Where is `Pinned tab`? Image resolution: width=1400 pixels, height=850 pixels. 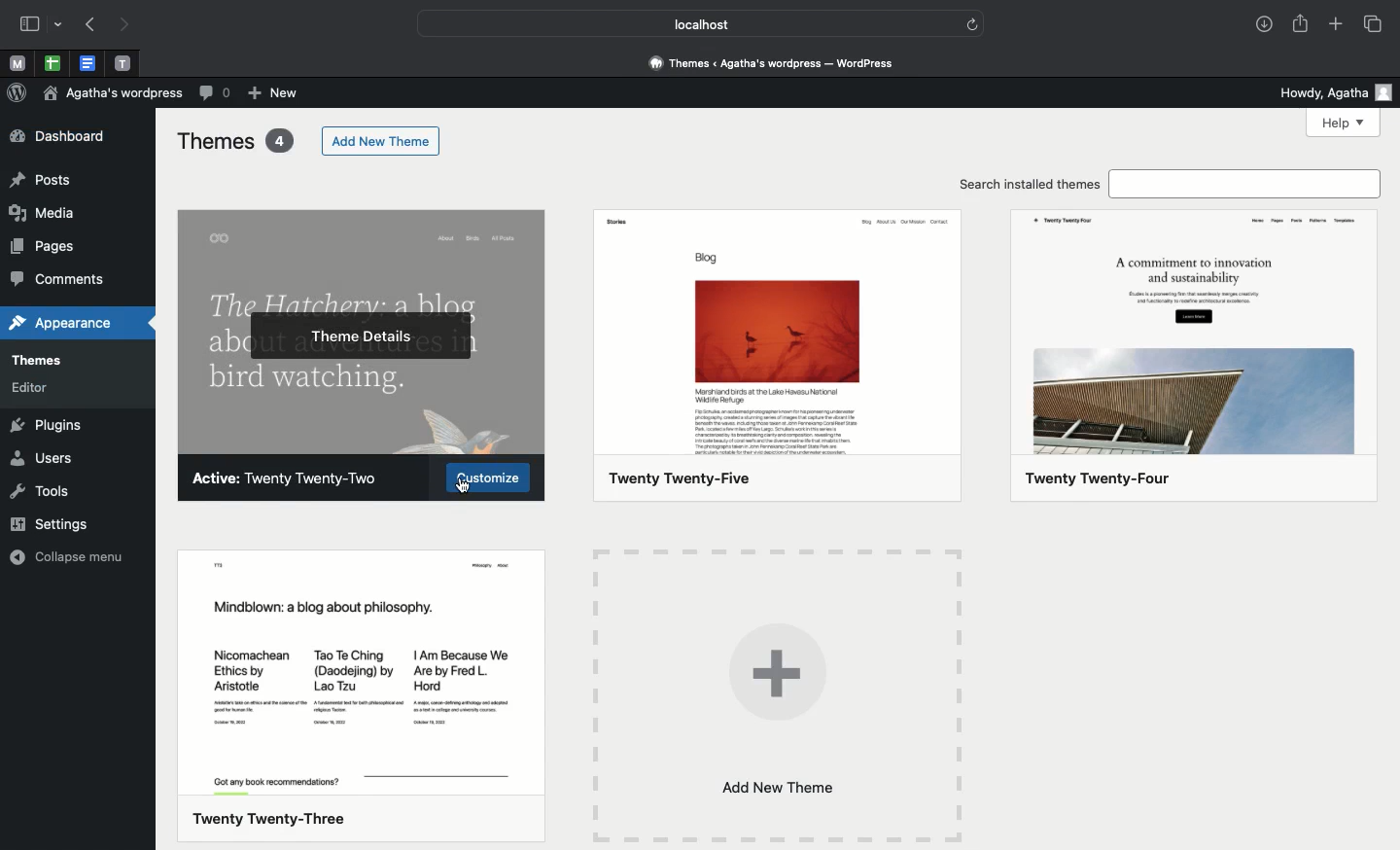
Pinned tab is located at coordinates (123, 64).